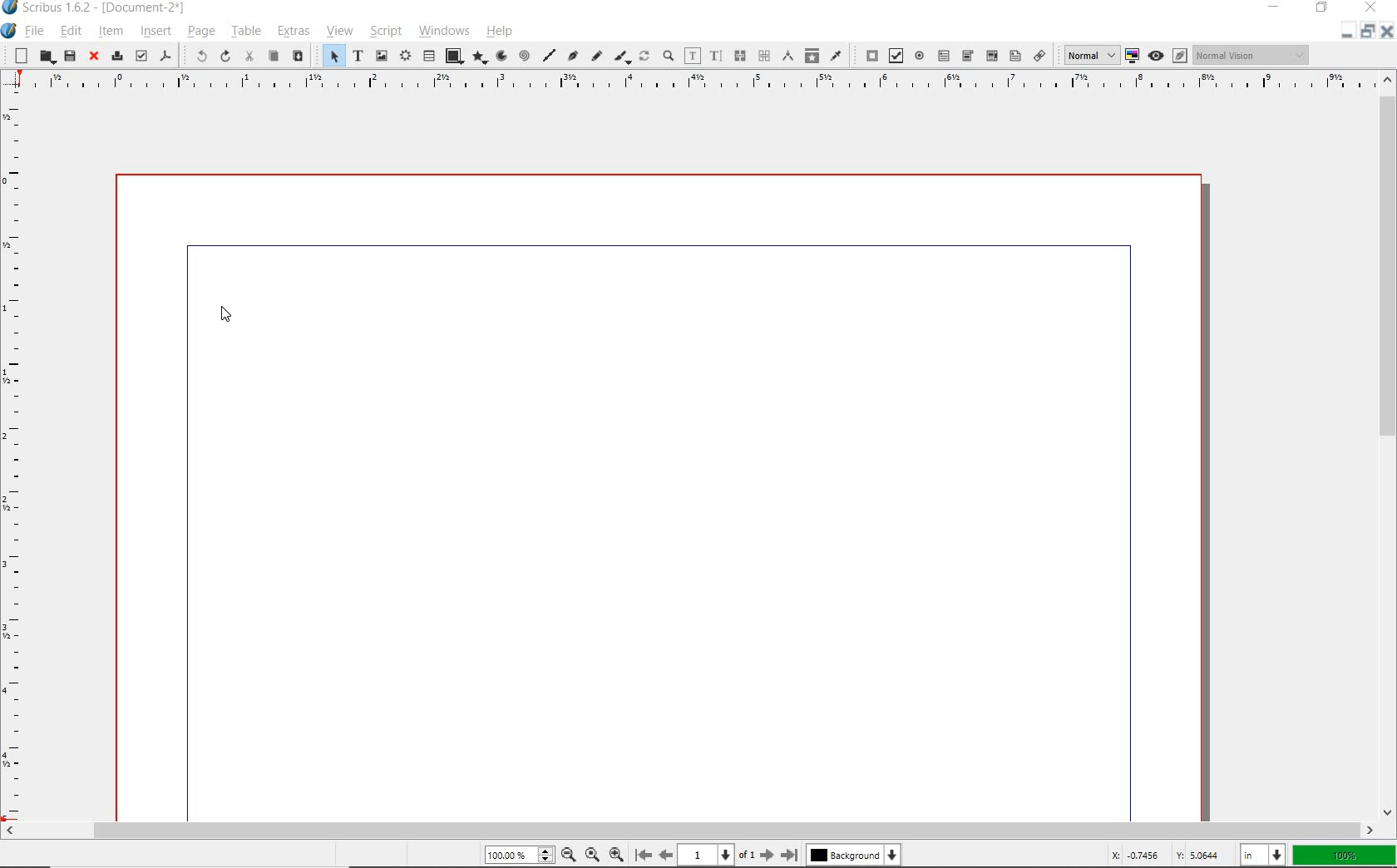 This screenshot has height=868, width=1397. I want to click on extras, so click(294, 32).